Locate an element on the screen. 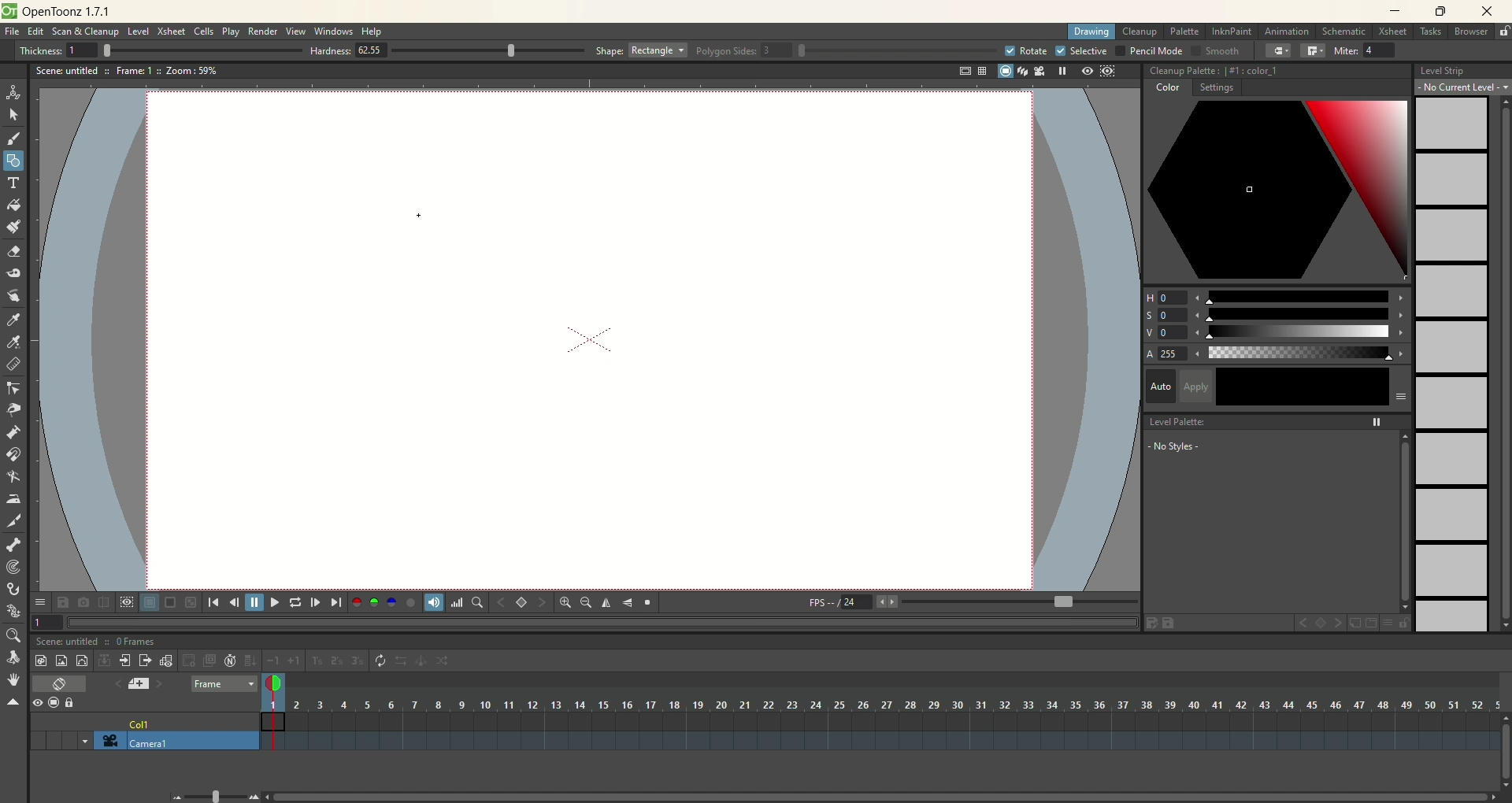 The height and width of the screenshot is (803, 1512). rotate is located at coordinates (1025, 50).